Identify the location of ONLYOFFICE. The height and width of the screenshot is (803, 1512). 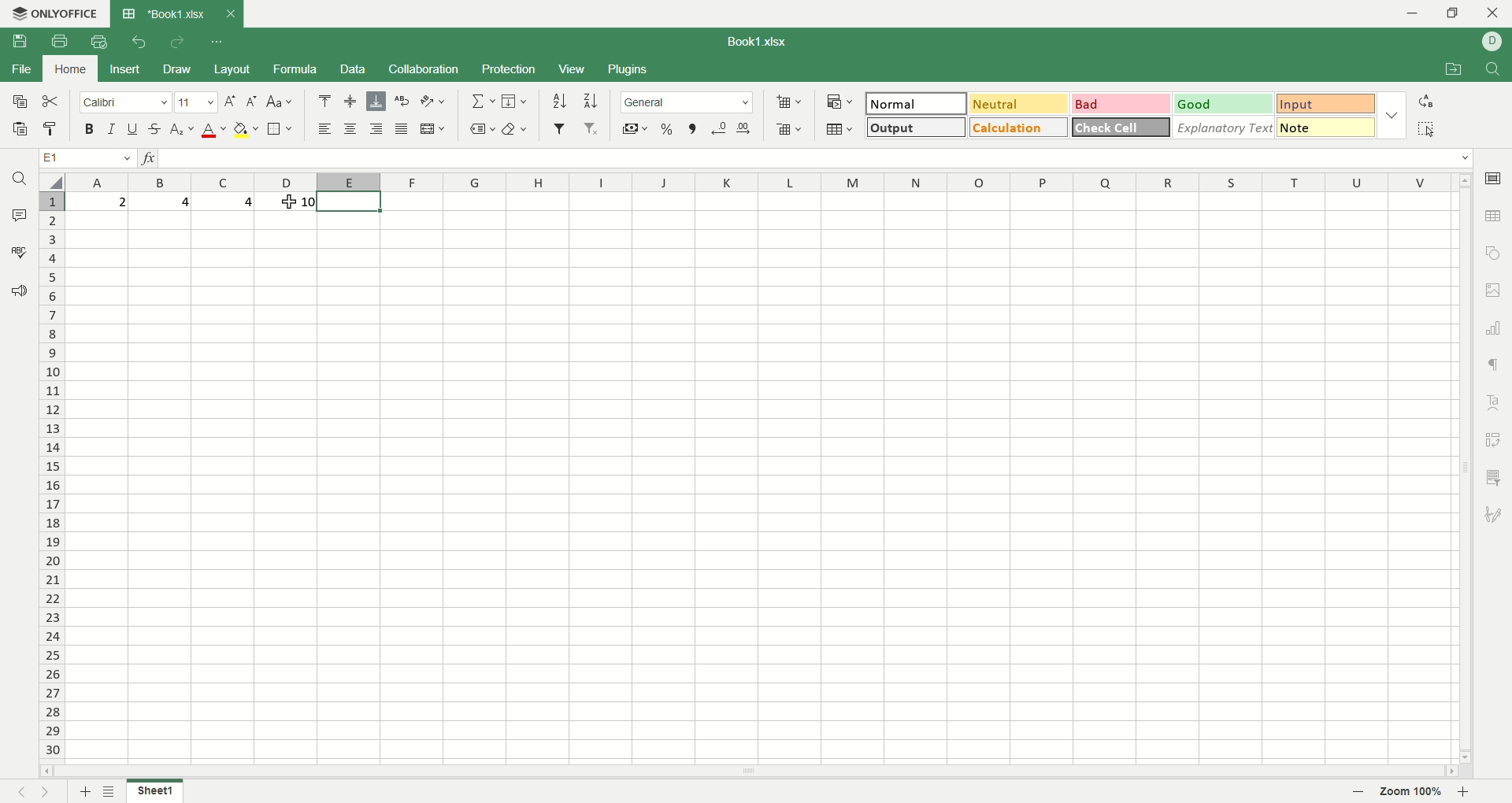
(56, 13).